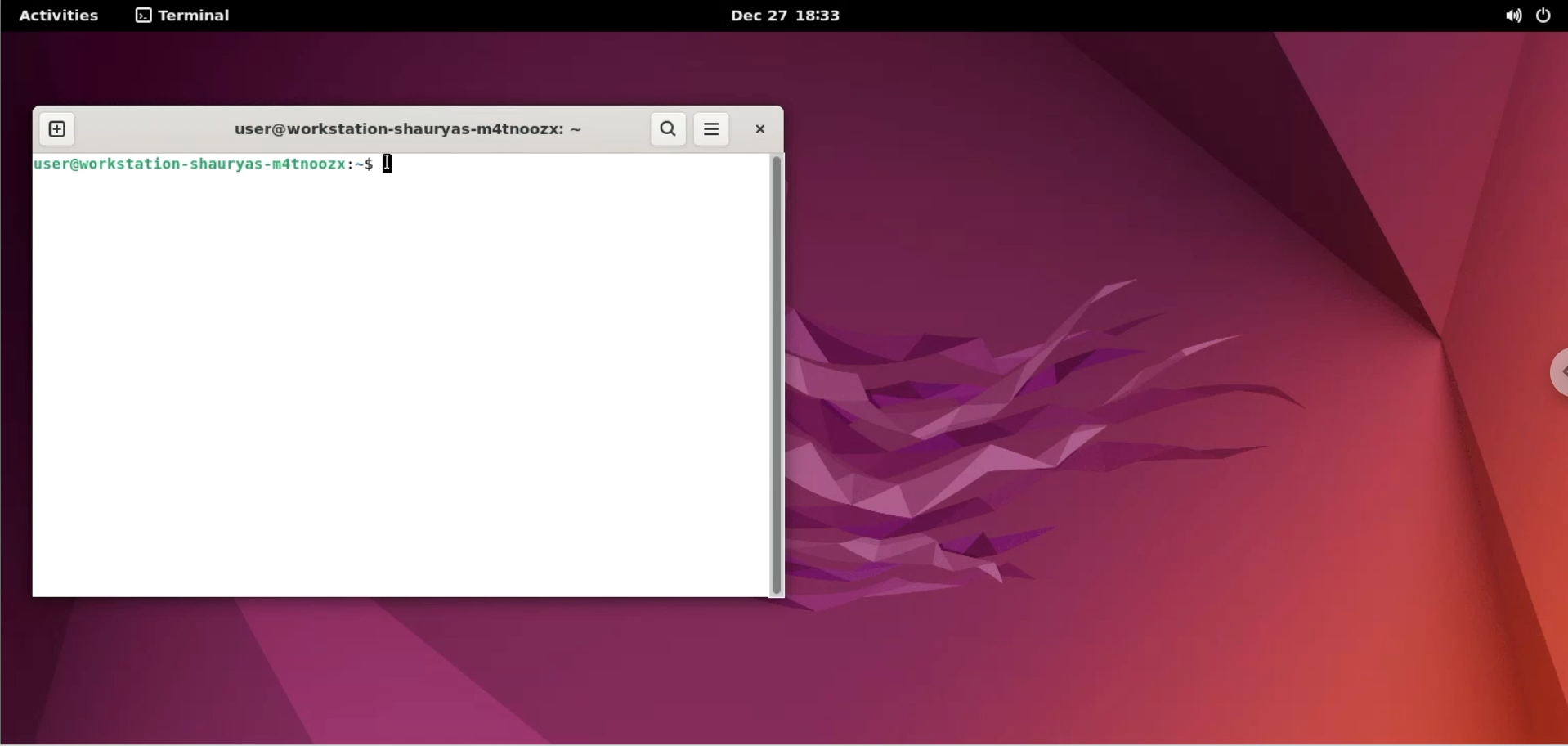  What do you see at coordinates (392, 168) in the screenshot?
I see `cursor` at bounding box center [392, 168].